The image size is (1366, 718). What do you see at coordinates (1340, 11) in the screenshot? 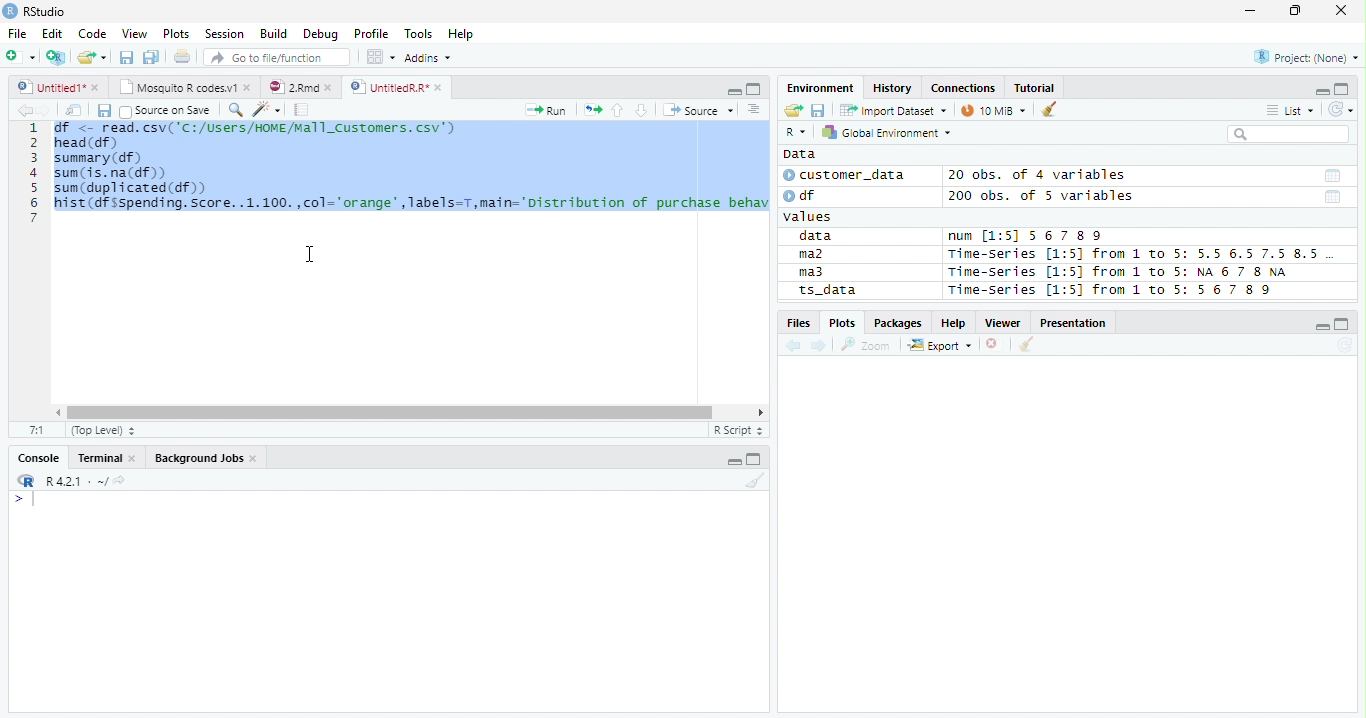
I see `Close` at bounding box center [1340, 11].